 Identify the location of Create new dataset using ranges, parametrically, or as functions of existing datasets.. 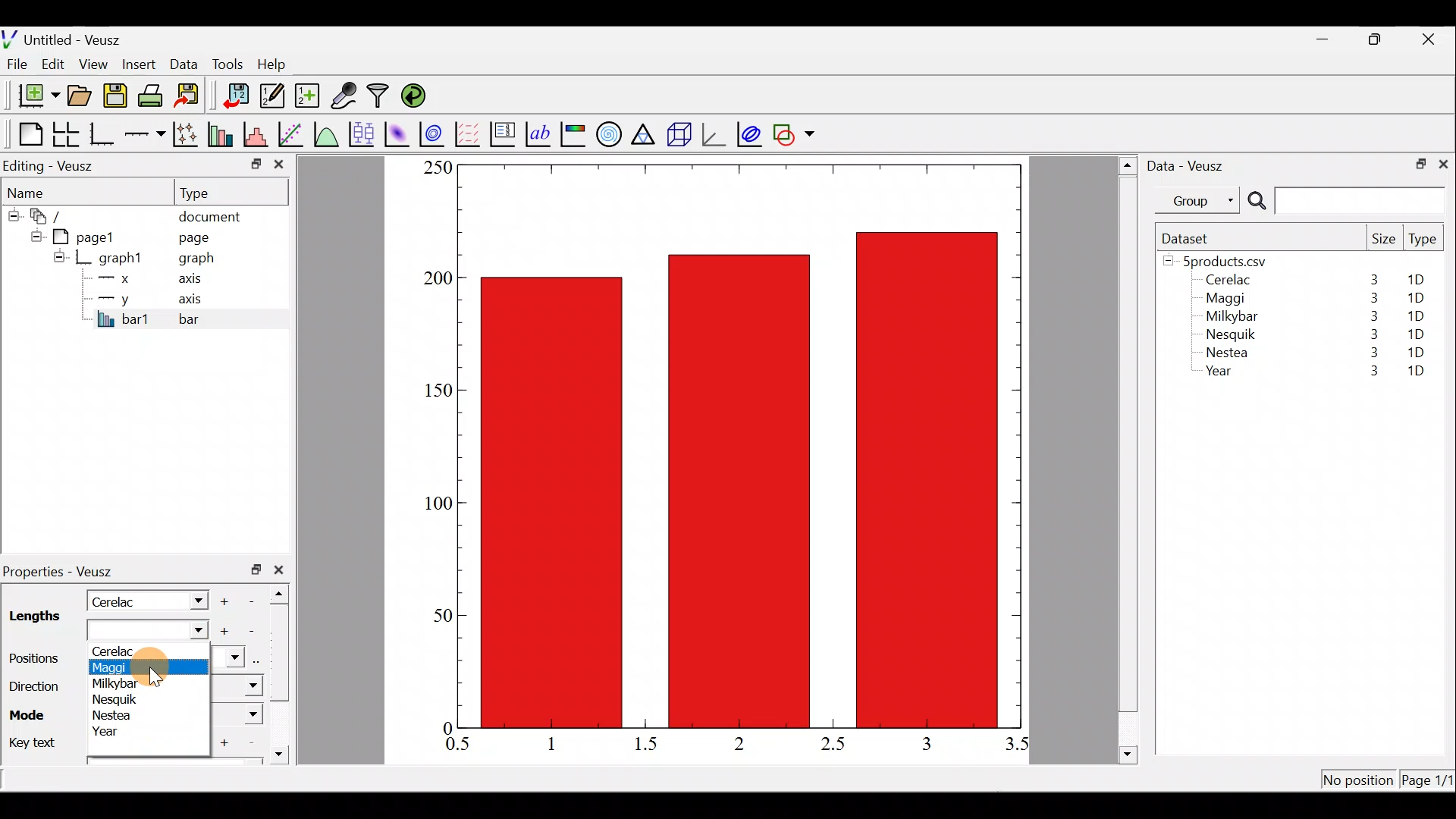
(309, 96).